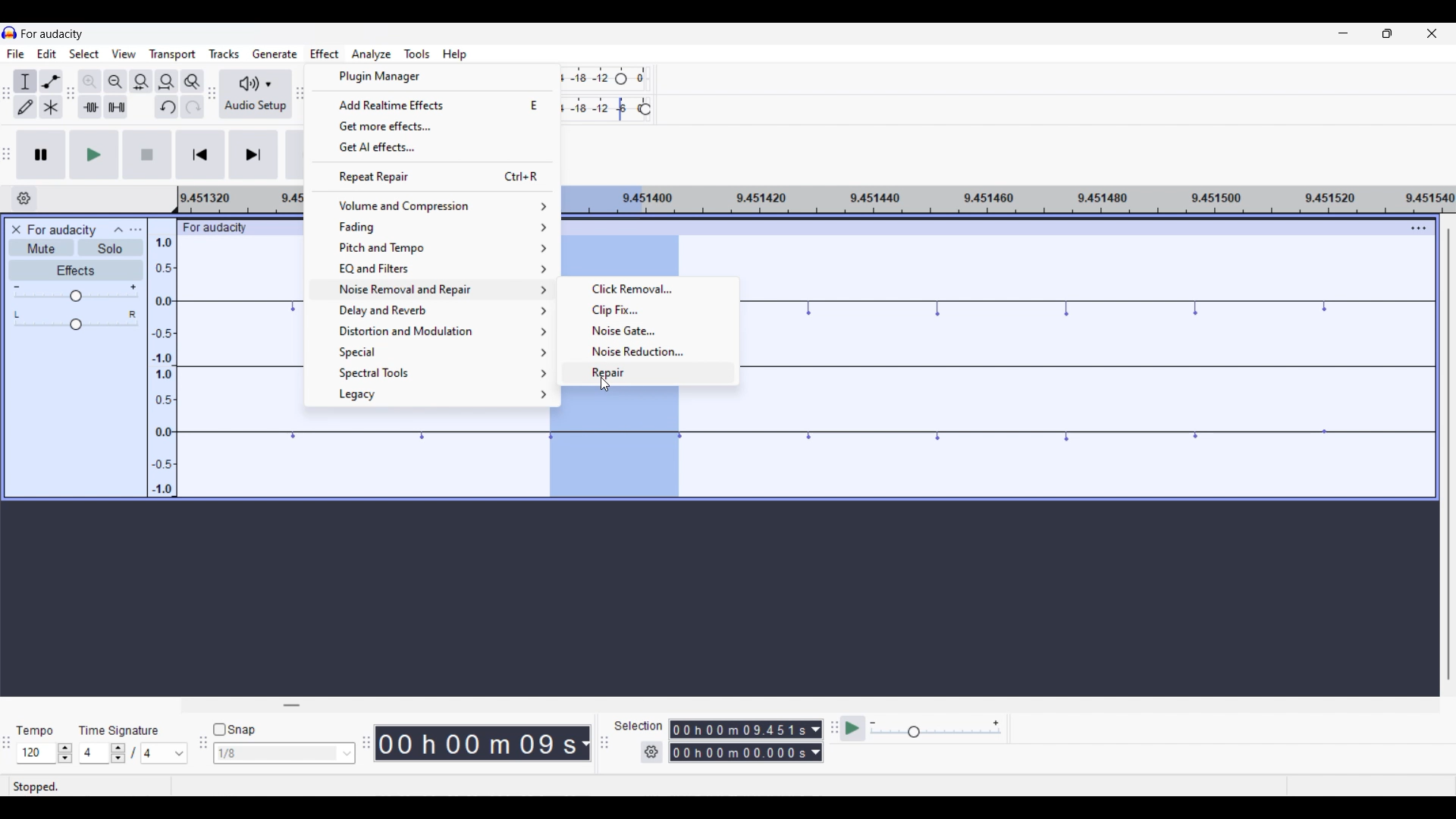  Describe the element at coordinates (366, 741) in the screenshot. I see `TIme tool bar` at that location.